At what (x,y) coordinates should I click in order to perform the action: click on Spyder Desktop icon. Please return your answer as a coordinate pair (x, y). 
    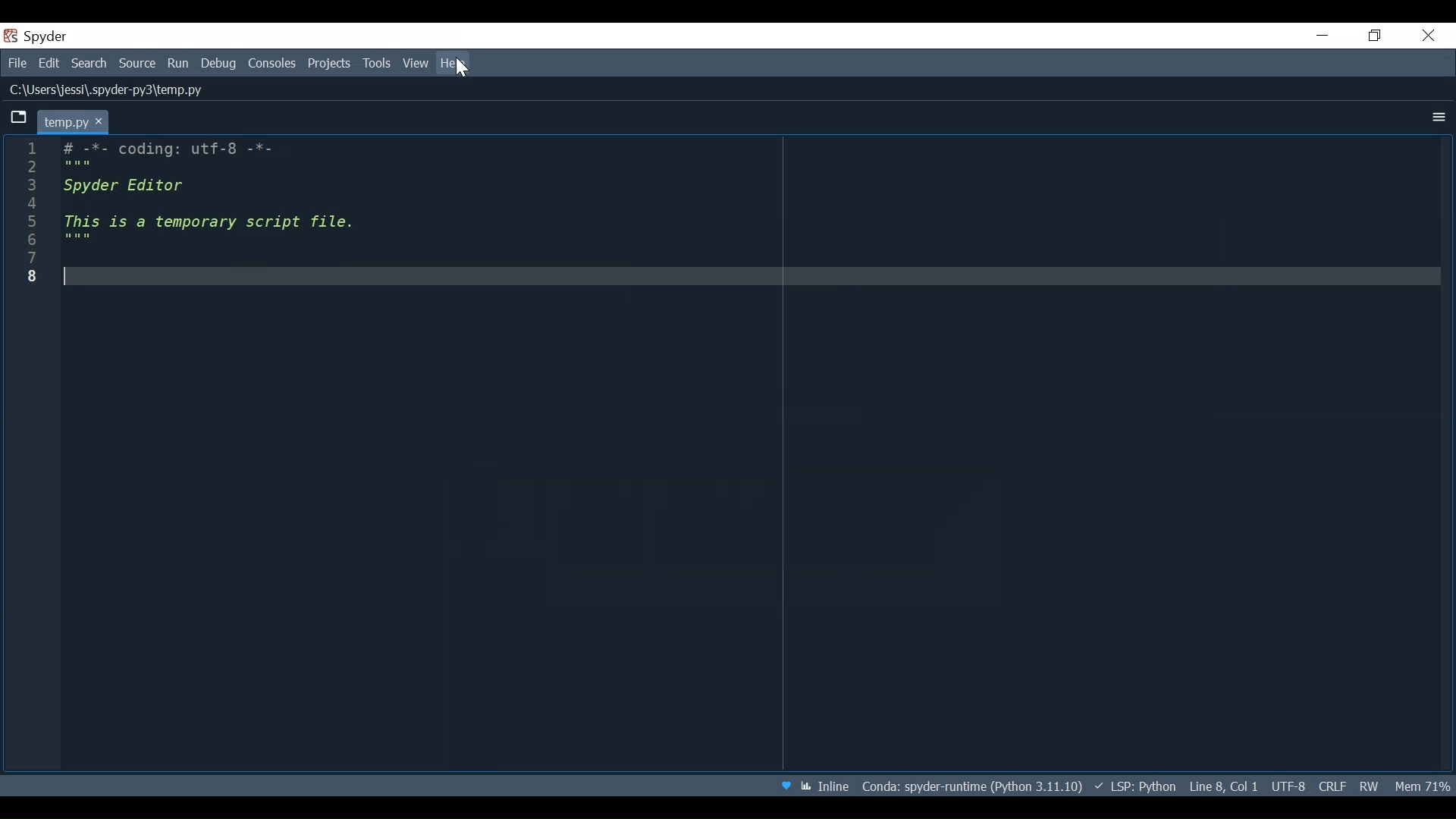
    Looking at the image, I should click on (36, 36).